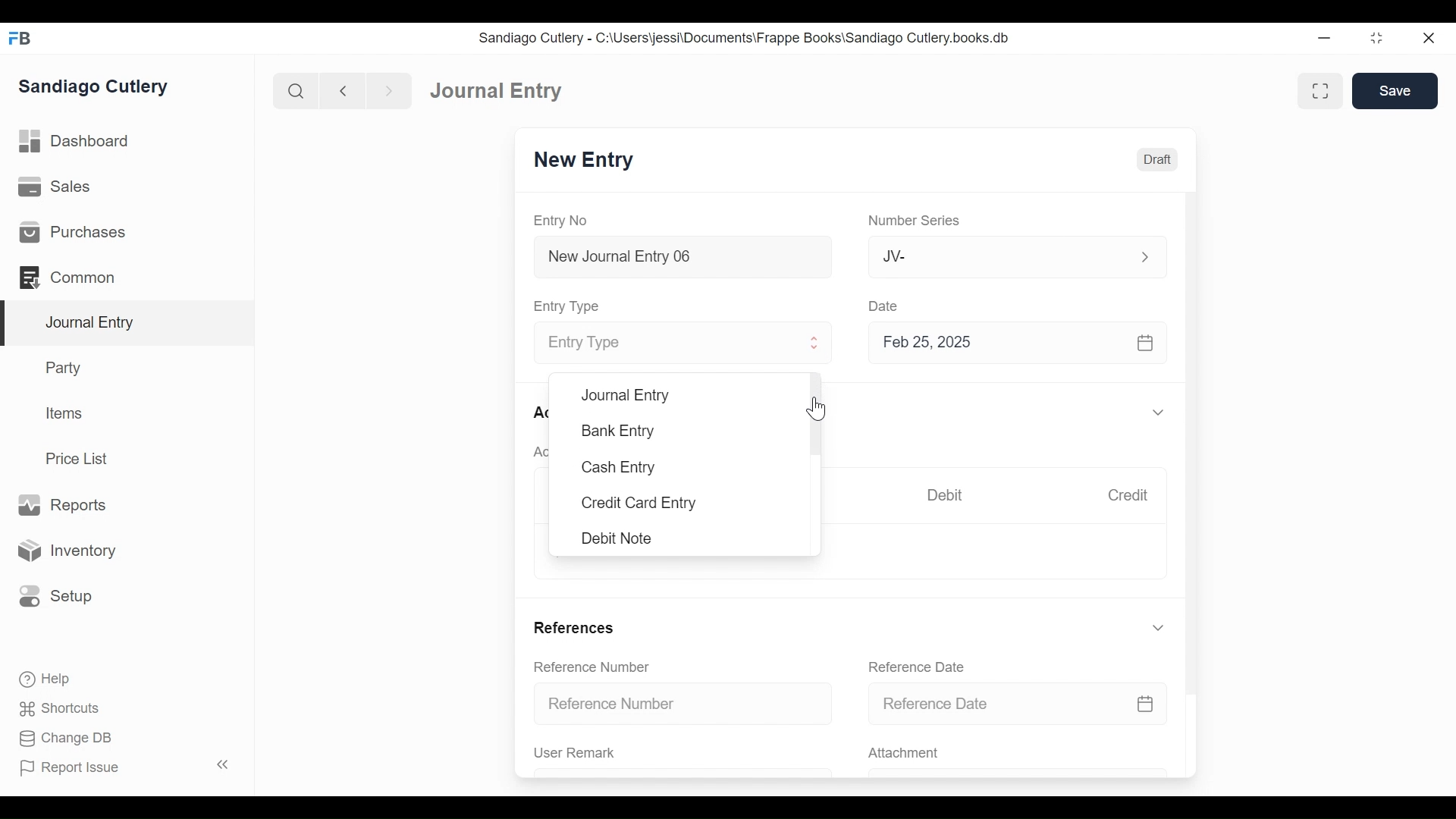 This screenshot has height=819, width=1456. I want to click on Help, so click(43, 678).